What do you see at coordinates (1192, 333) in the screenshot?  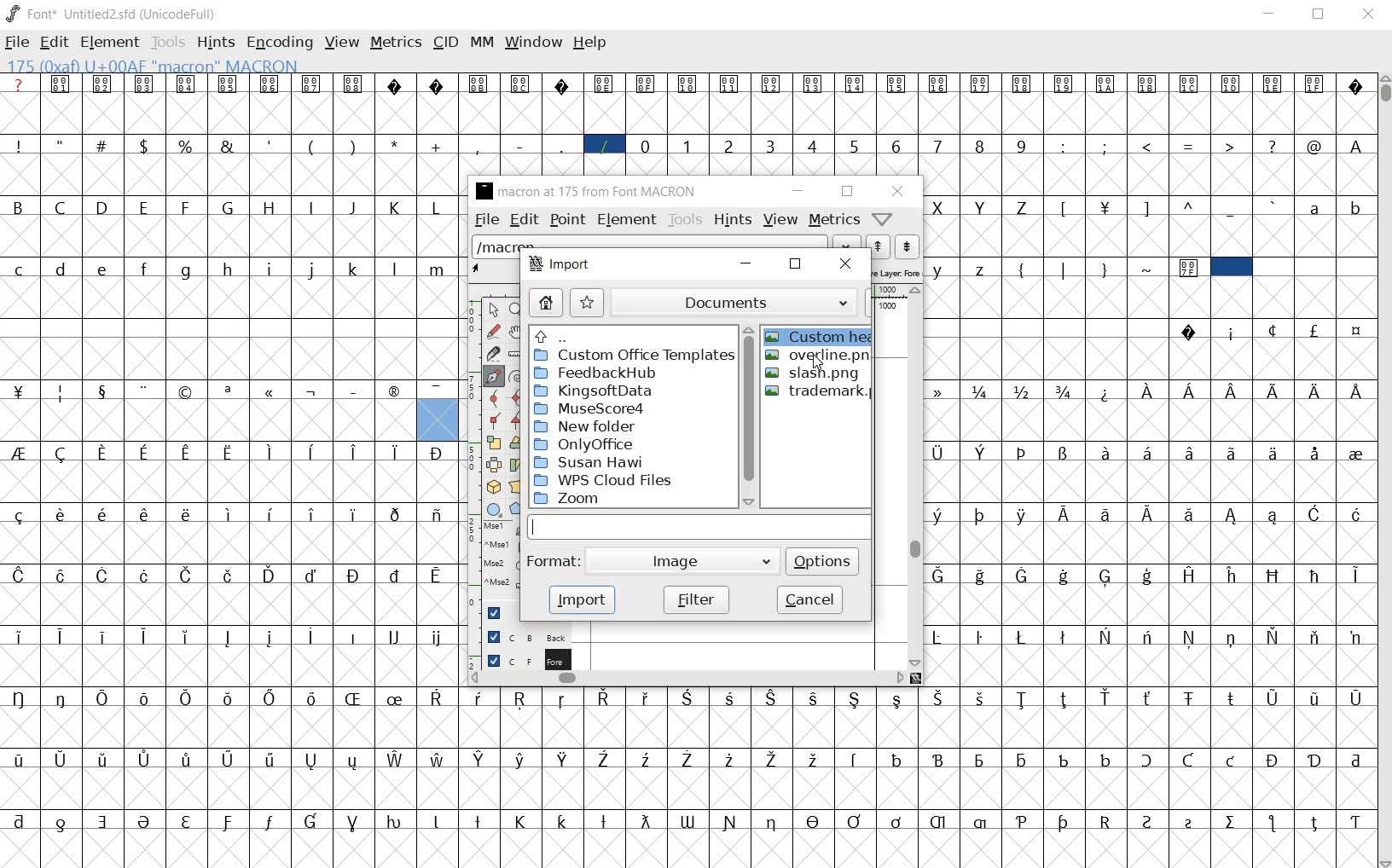 I see `Symbol` at bounding box center [1192, 333].